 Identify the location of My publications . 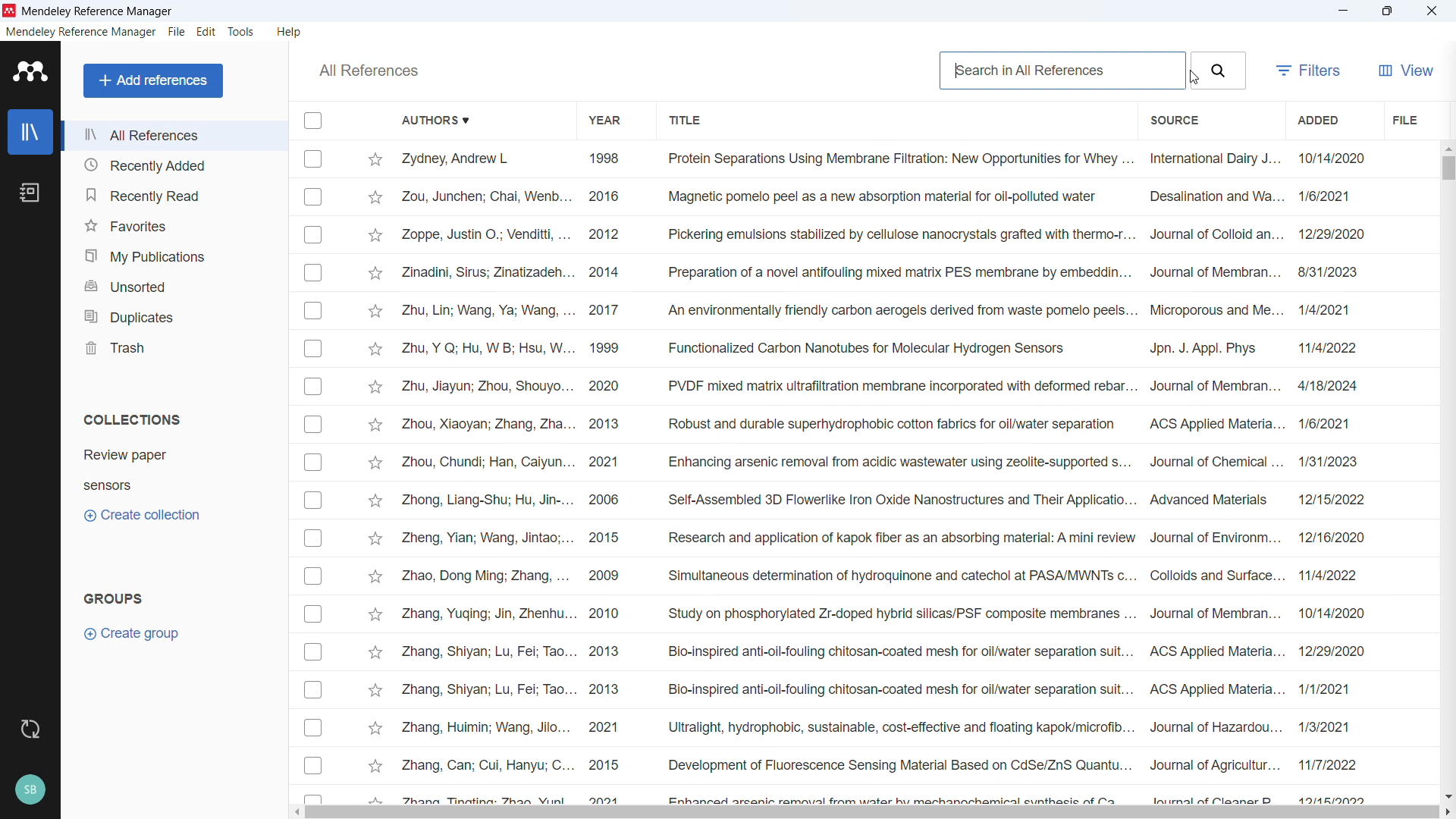
(172, 254).